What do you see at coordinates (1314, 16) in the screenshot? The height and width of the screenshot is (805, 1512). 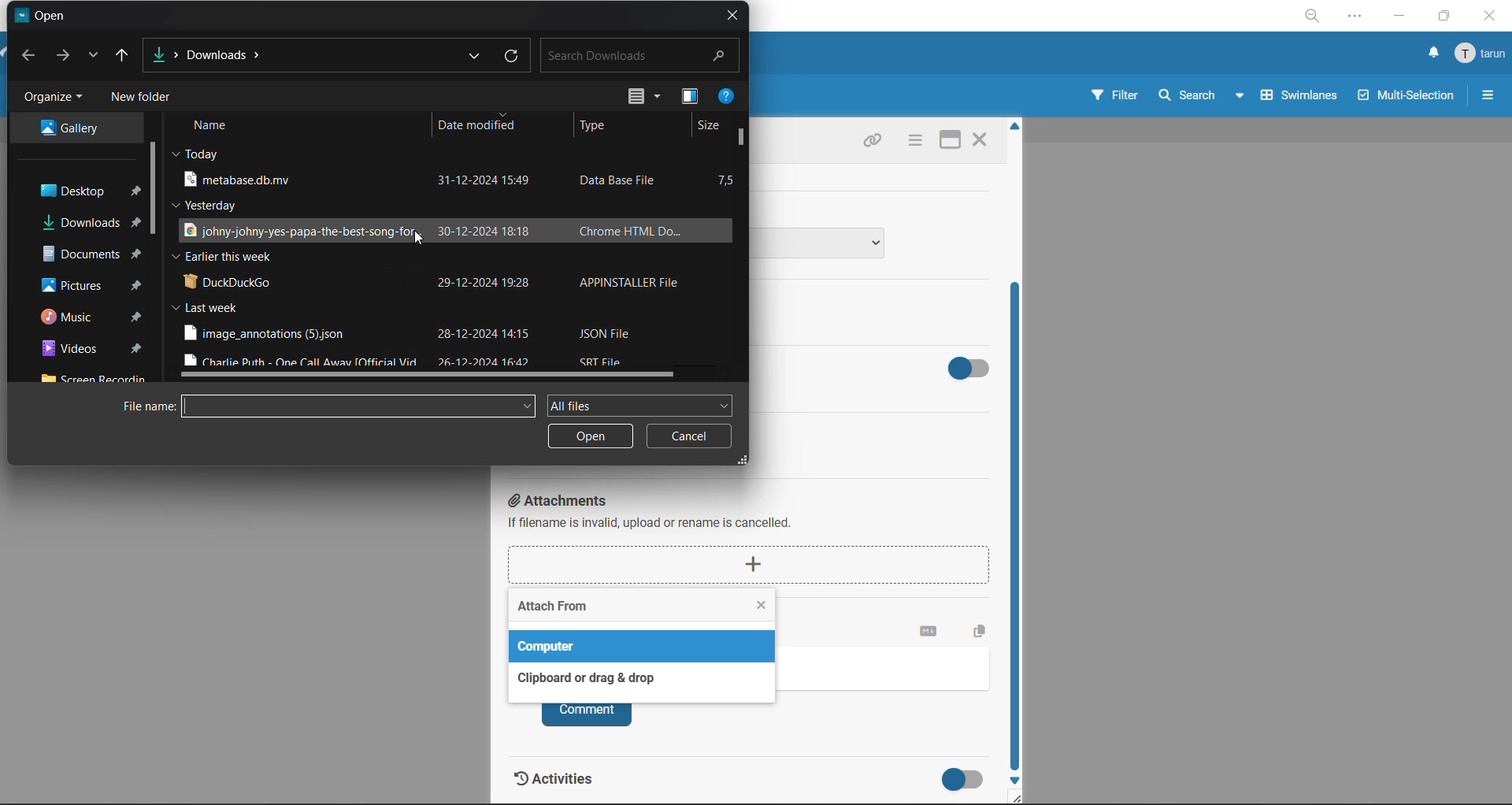 I see `zoom` at bounding box center [1314, 16].